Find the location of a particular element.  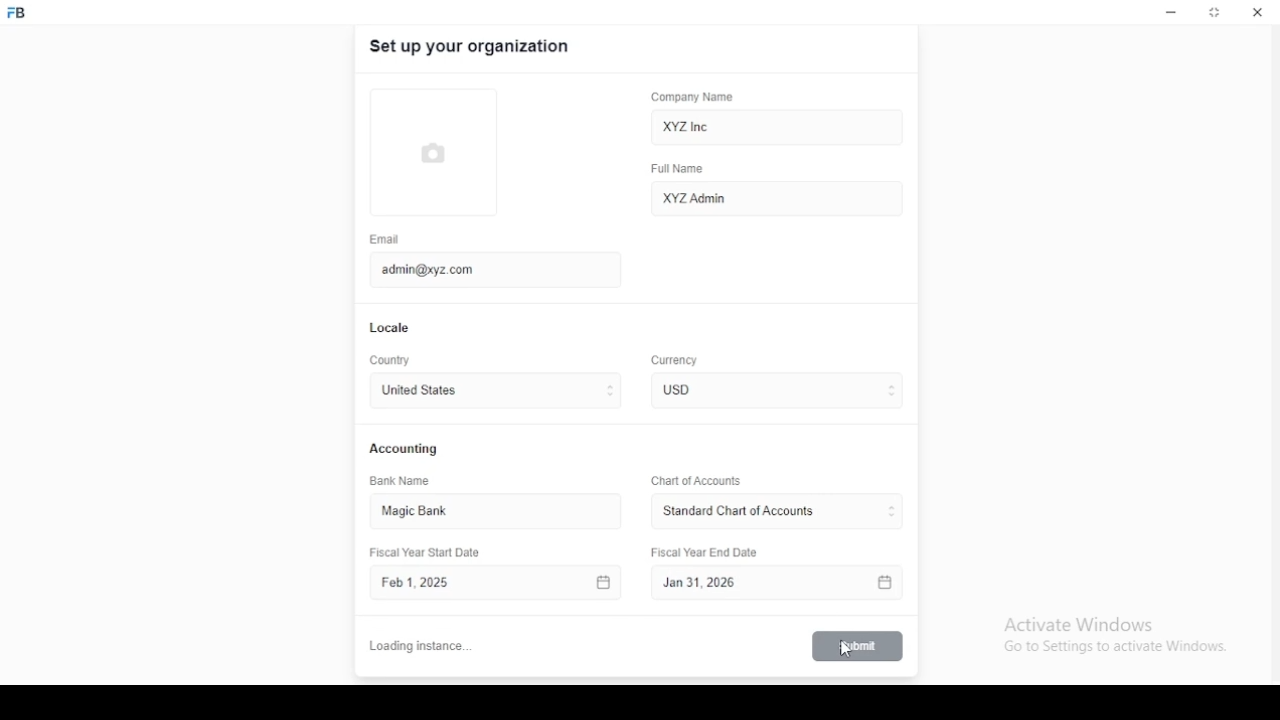

full name is located at coordinates (683, 169).